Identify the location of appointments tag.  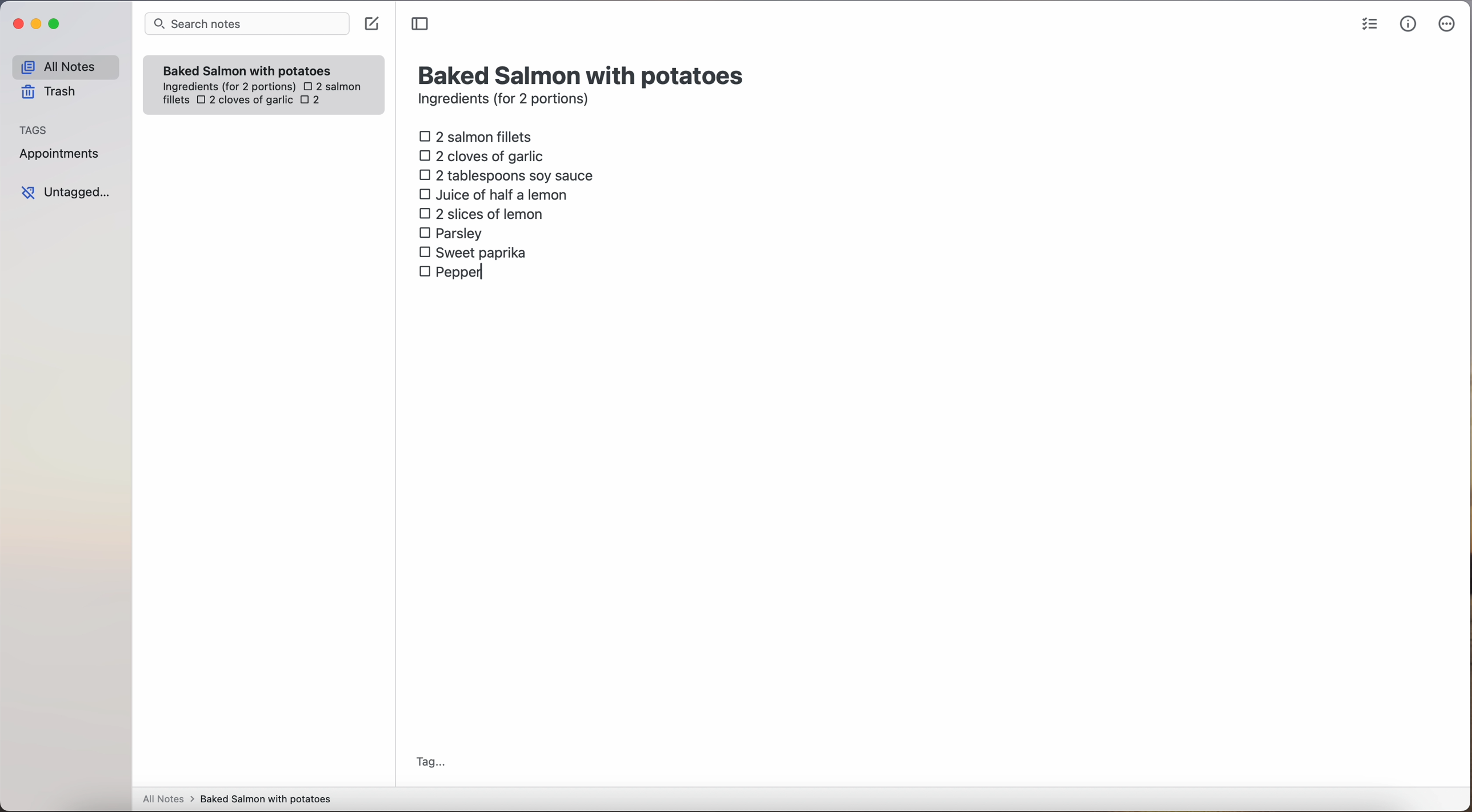
(61, 151).